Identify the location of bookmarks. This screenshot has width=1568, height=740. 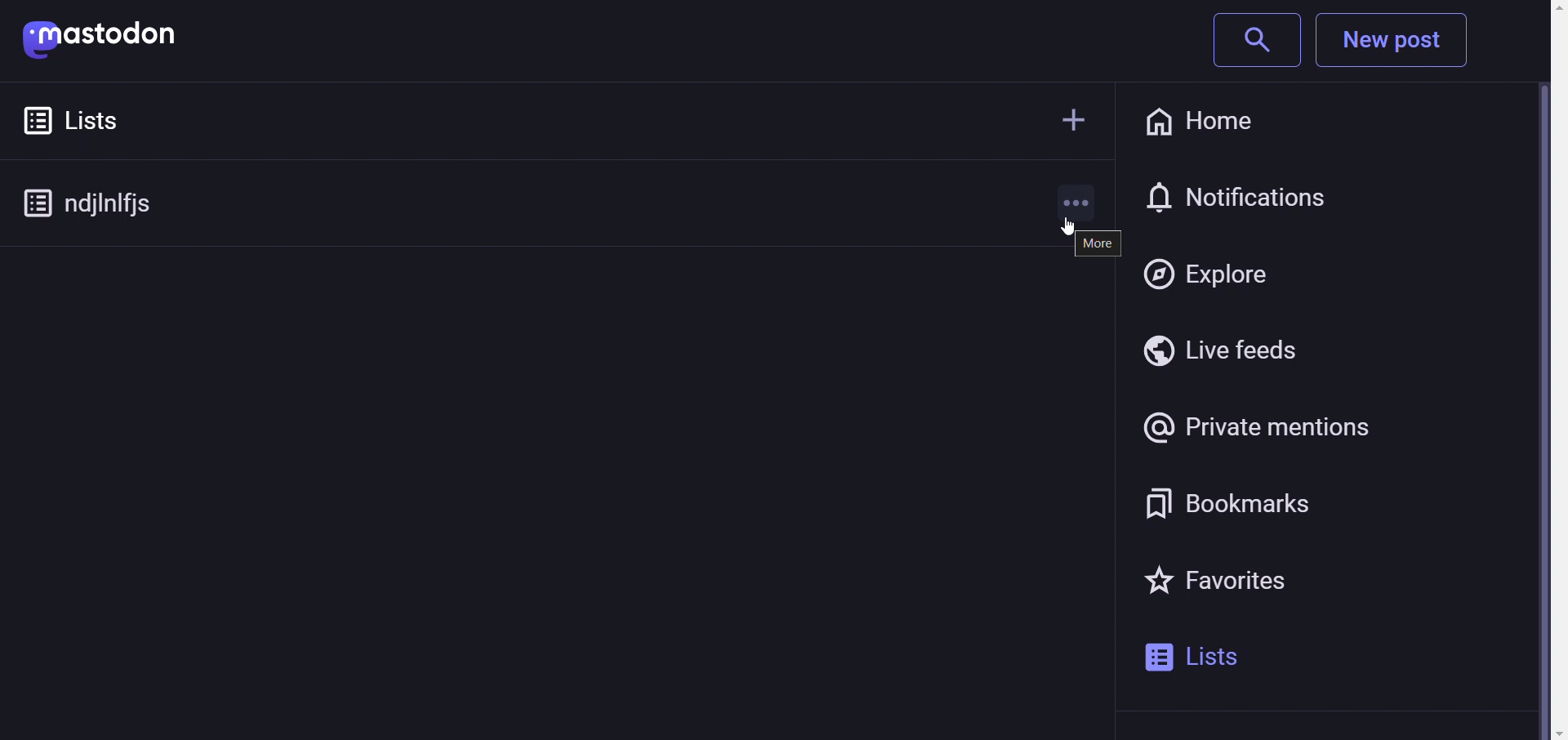
(1218, 506).